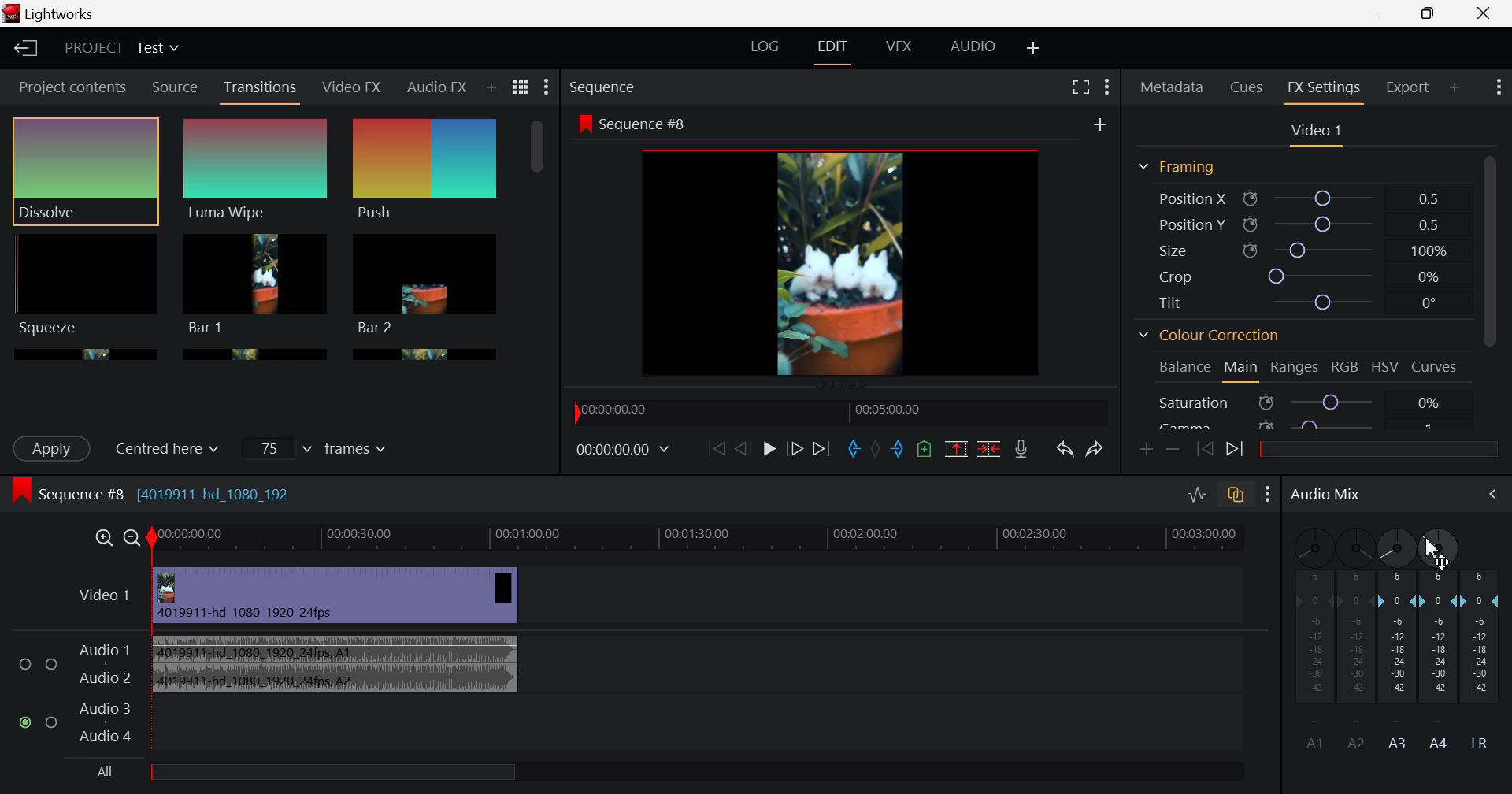 The width and height of the screenshot is (1512, 794). Describe the element at coordinates (991, 448) in the screenshot. I see `Delete/Cut` at that location.